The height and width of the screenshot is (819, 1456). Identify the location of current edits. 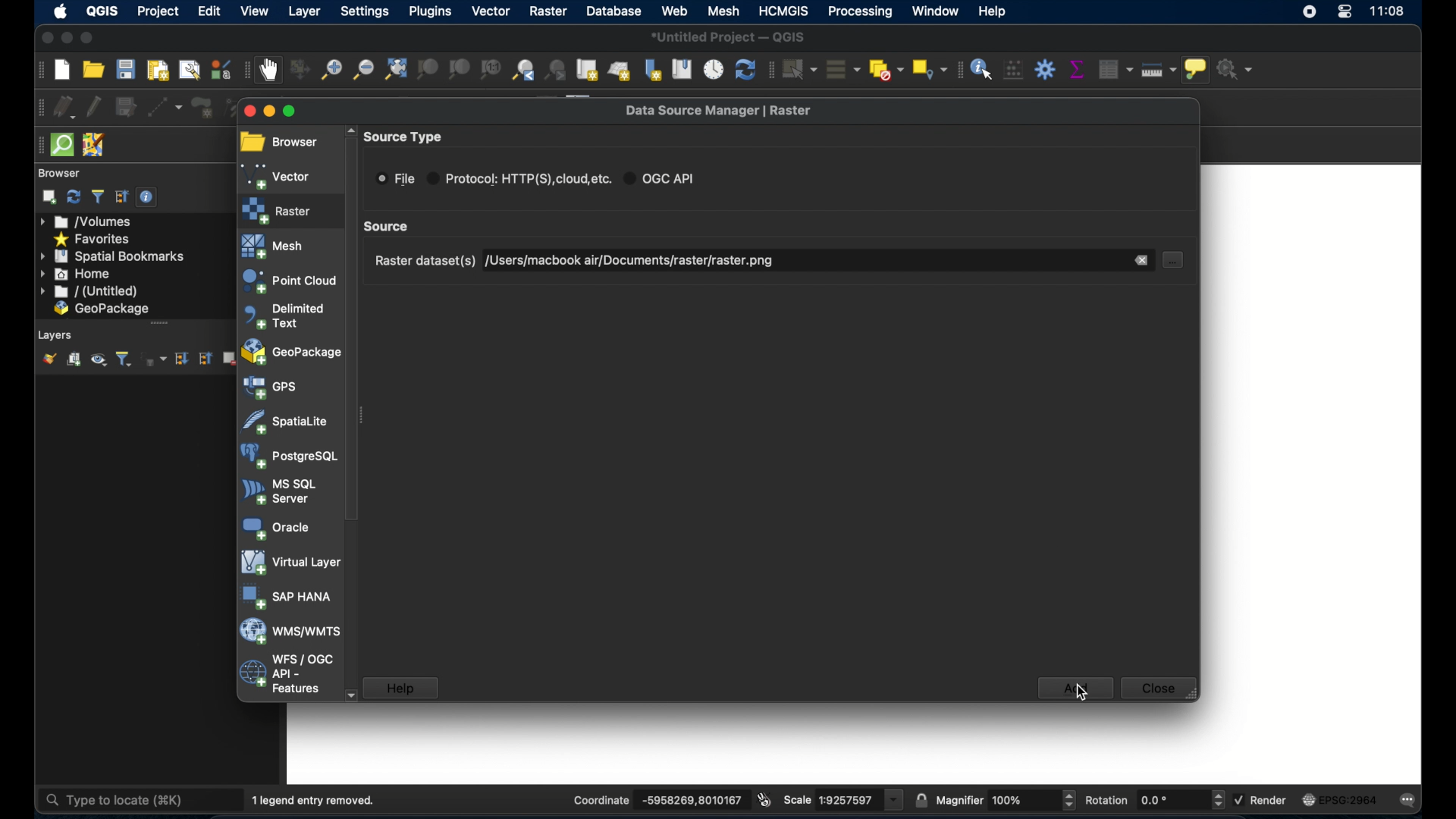
(64, 107).